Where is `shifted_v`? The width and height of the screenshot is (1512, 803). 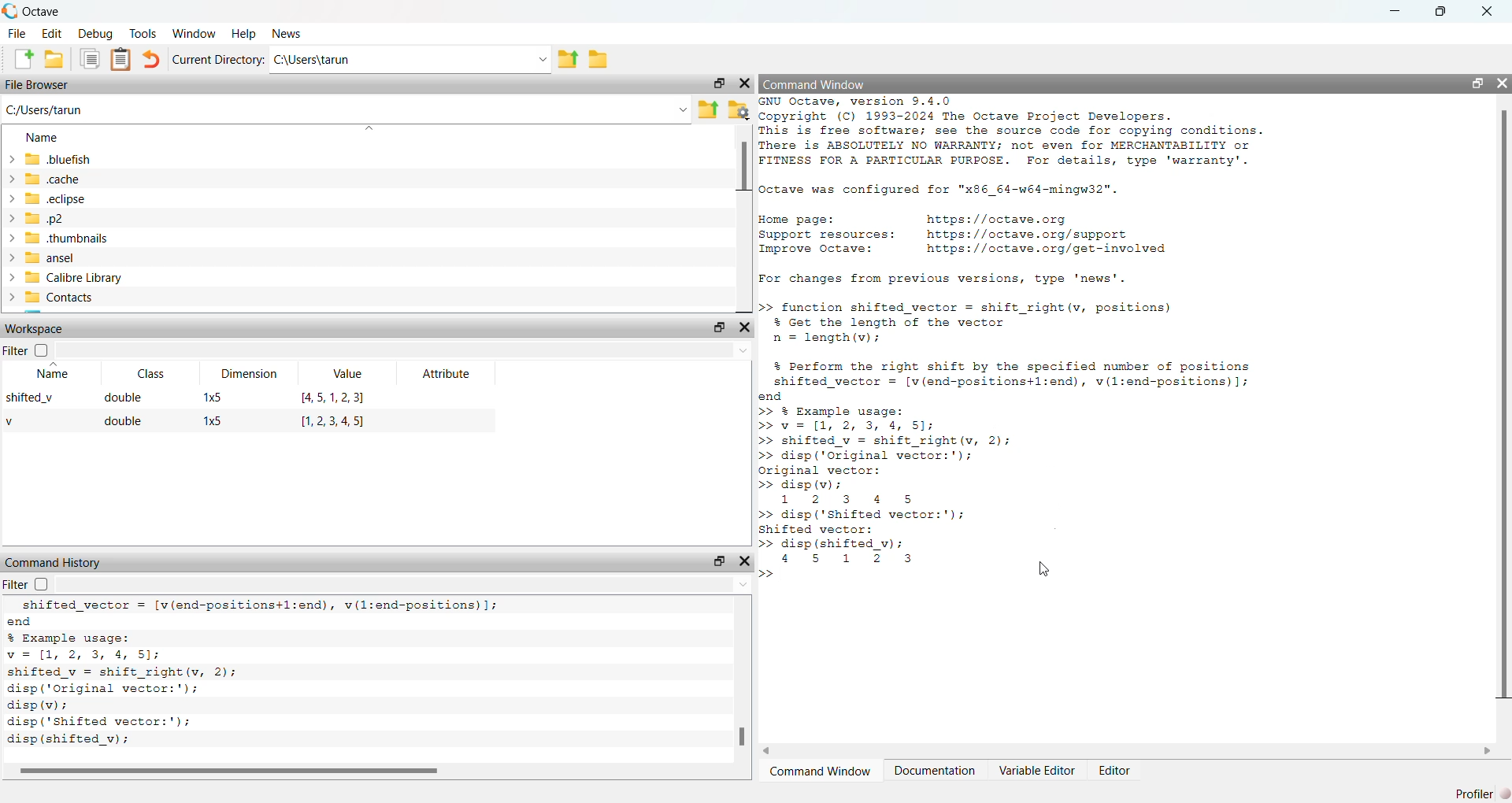 shifted_v is located at coordinates (35, 401).